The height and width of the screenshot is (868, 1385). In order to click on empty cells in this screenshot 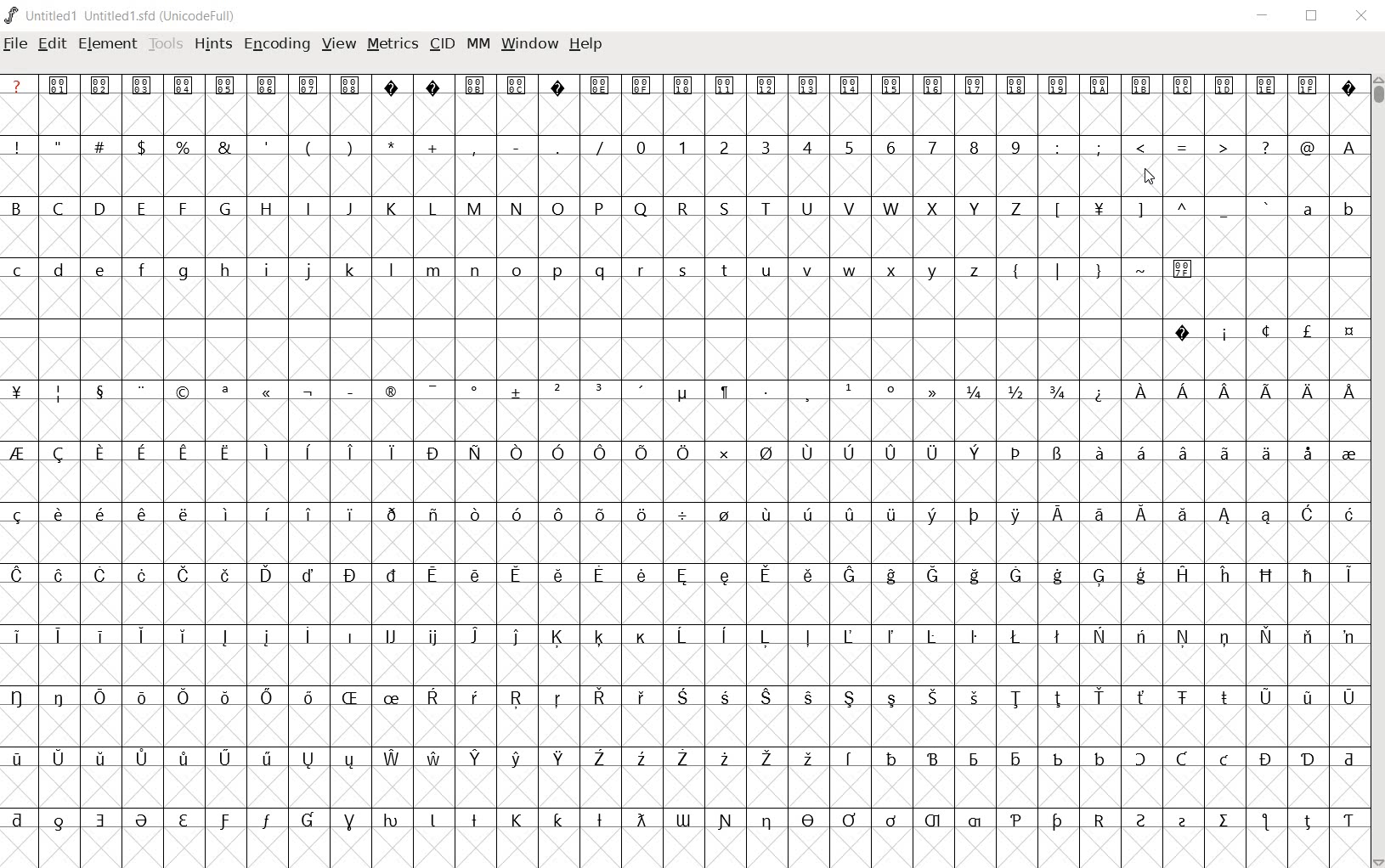, I will do `click(685, 235)`.